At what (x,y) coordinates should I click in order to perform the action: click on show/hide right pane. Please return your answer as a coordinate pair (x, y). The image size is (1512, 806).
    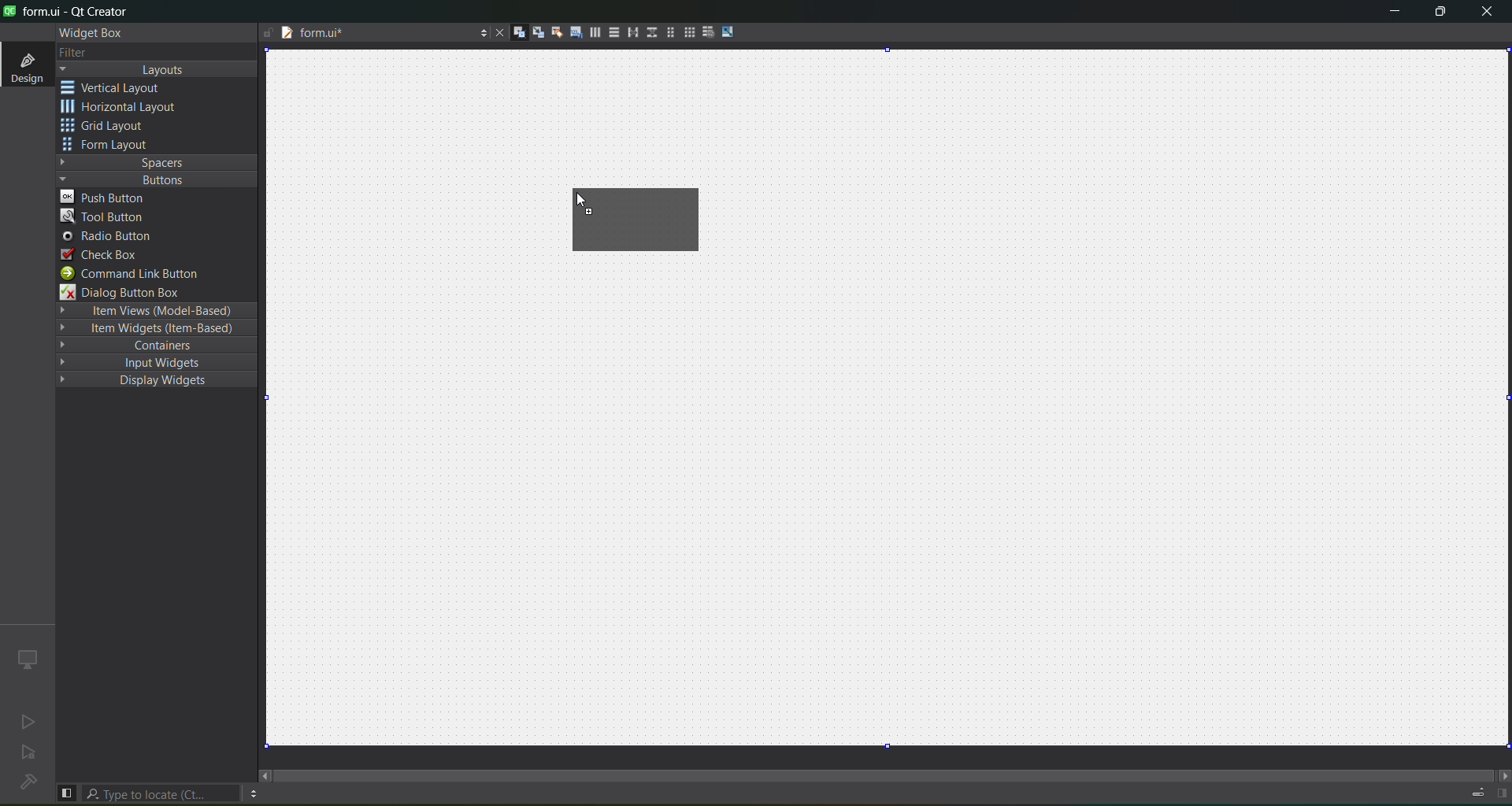
    Looking at the image, I should click on (1501, 793).